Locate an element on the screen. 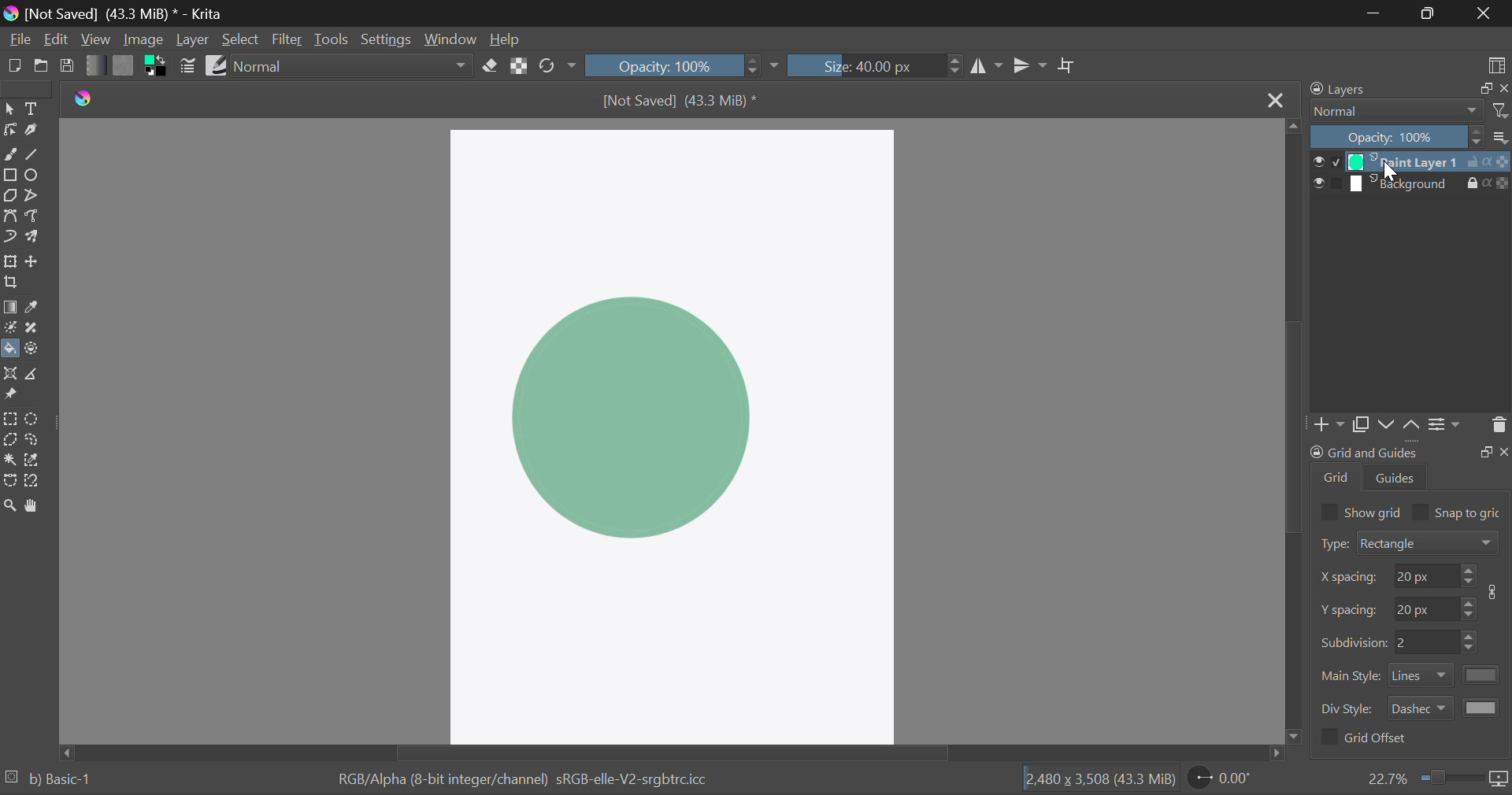  Pan is located at coordinates (33, 506).